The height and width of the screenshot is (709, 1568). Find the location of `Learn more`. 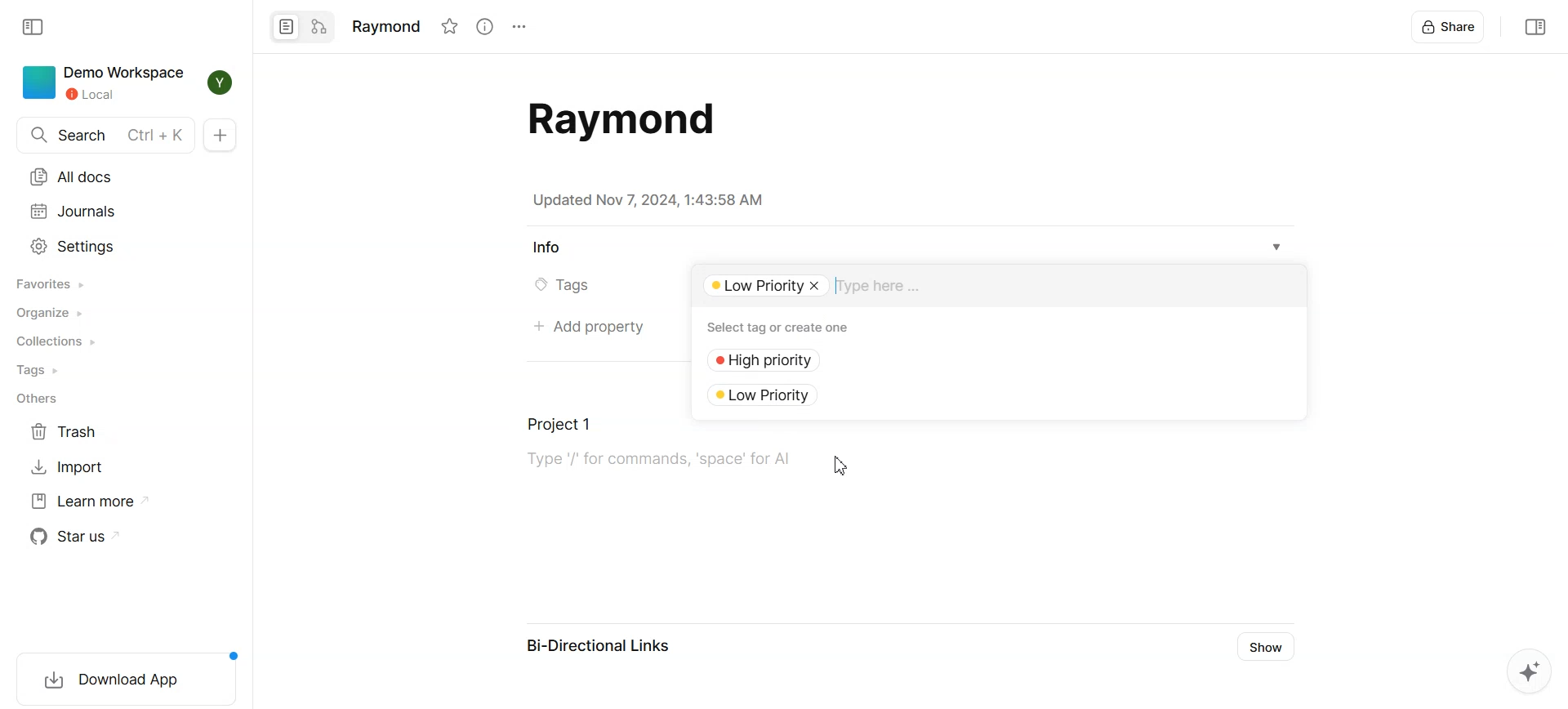

Learn more is located at coordinates (91, 501).